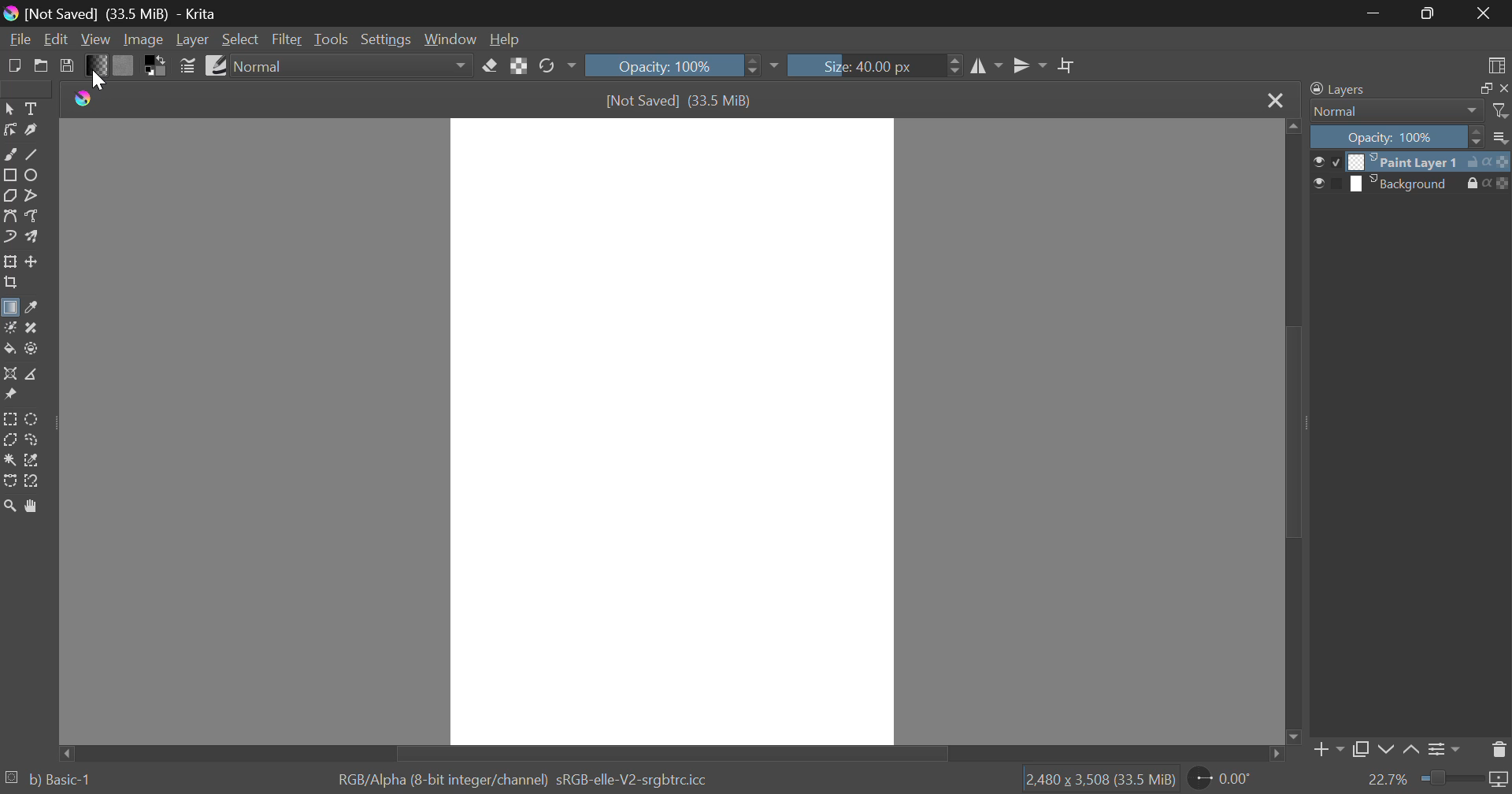 The height and width of the screenshot is (794, 1512). Describe the element at coordinates (1476, 161) in the screenshot. I see `unlock` at that location.